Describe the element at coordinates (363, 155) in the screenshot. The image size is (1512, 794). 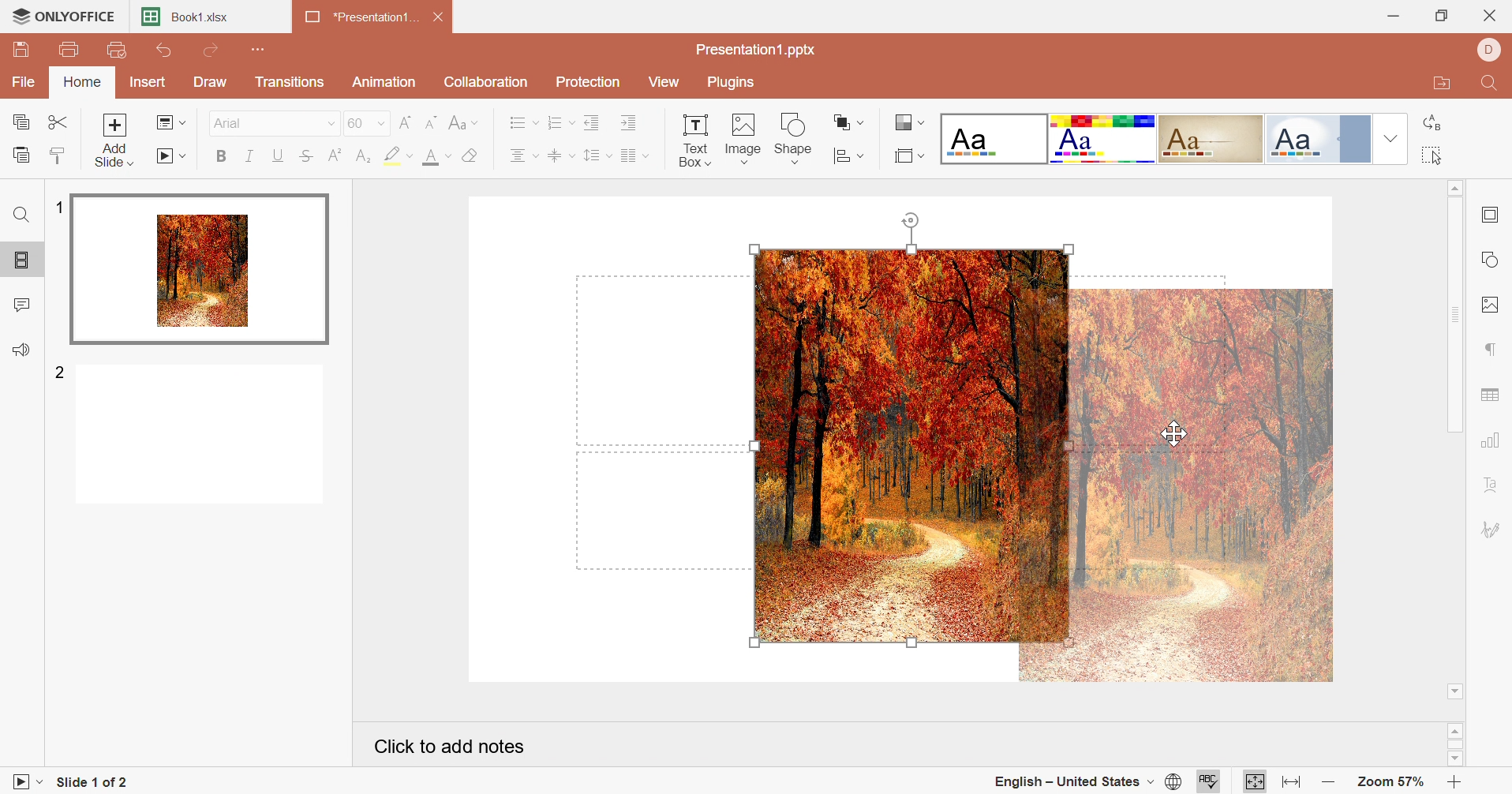
I see `Subscript` at that location.